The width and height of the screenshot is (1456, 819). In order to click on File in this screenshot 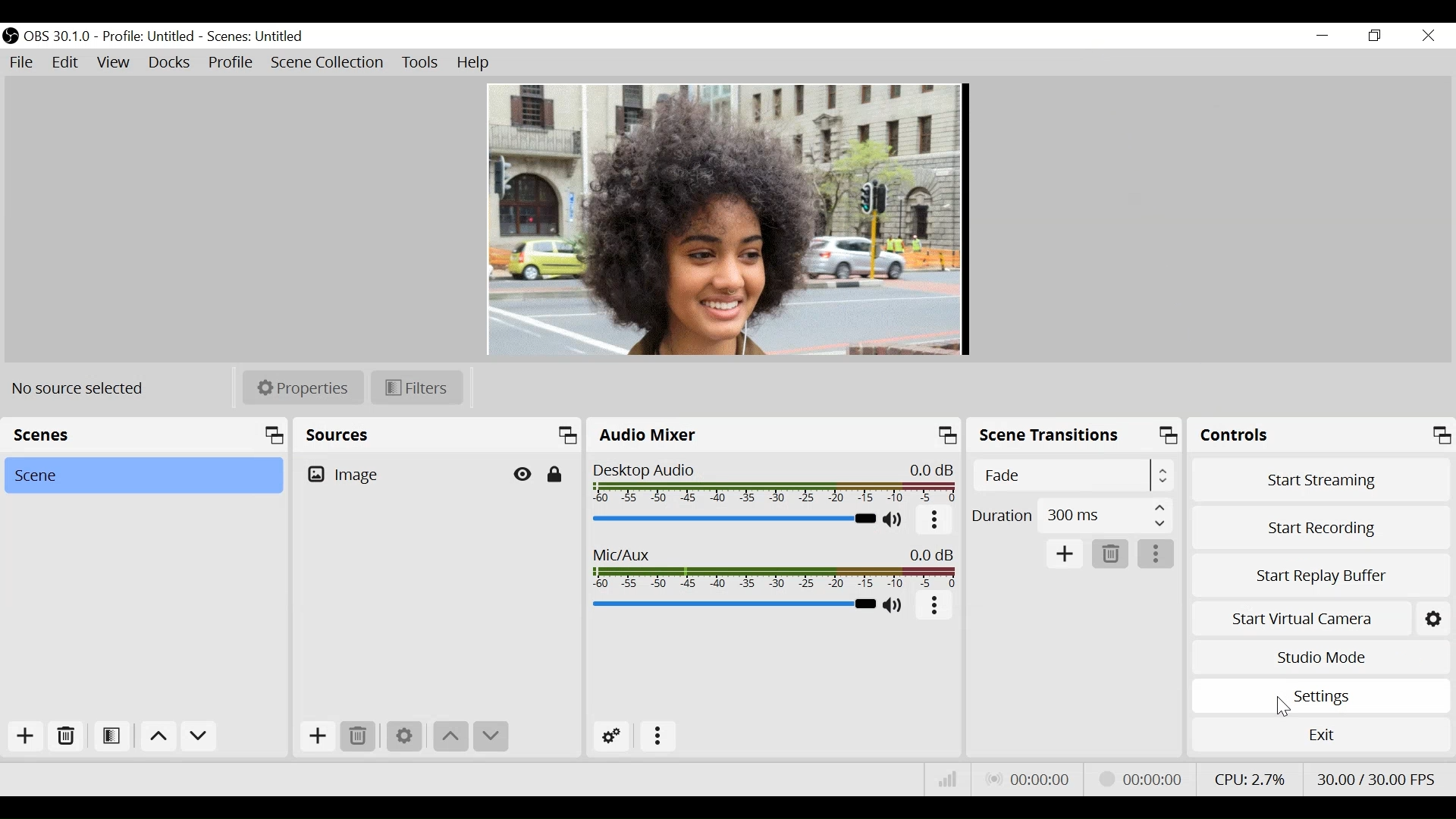, I will do `click(24, 63)`.